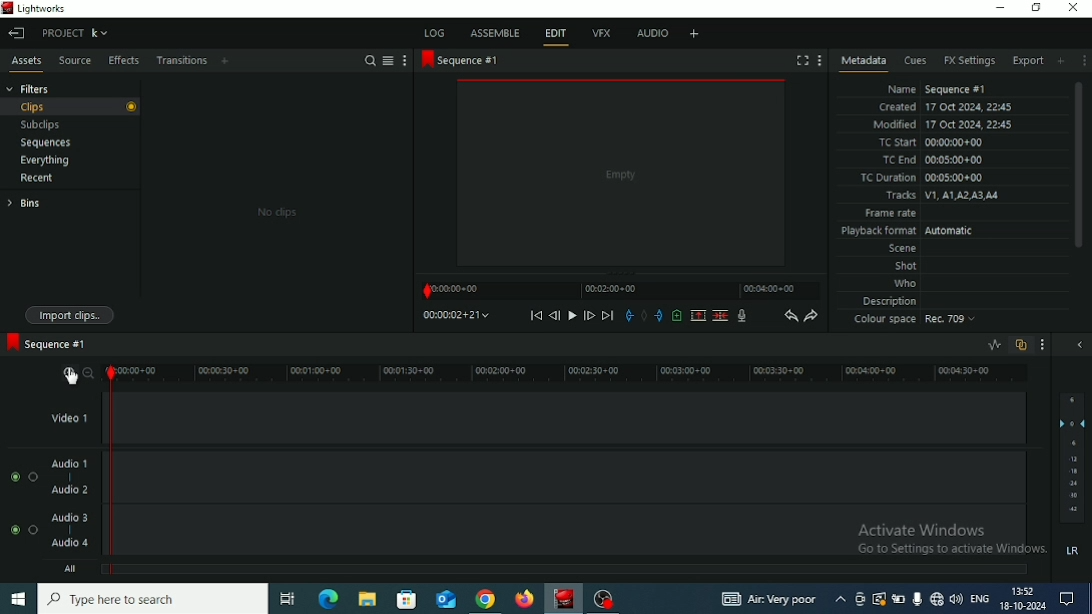 Image resolution: width=1092 pixels, height=614 pixels. What do you see at coordinates (33, 477) in the screenshot?
I see `Solo this track` at bounding box center [33, 477].